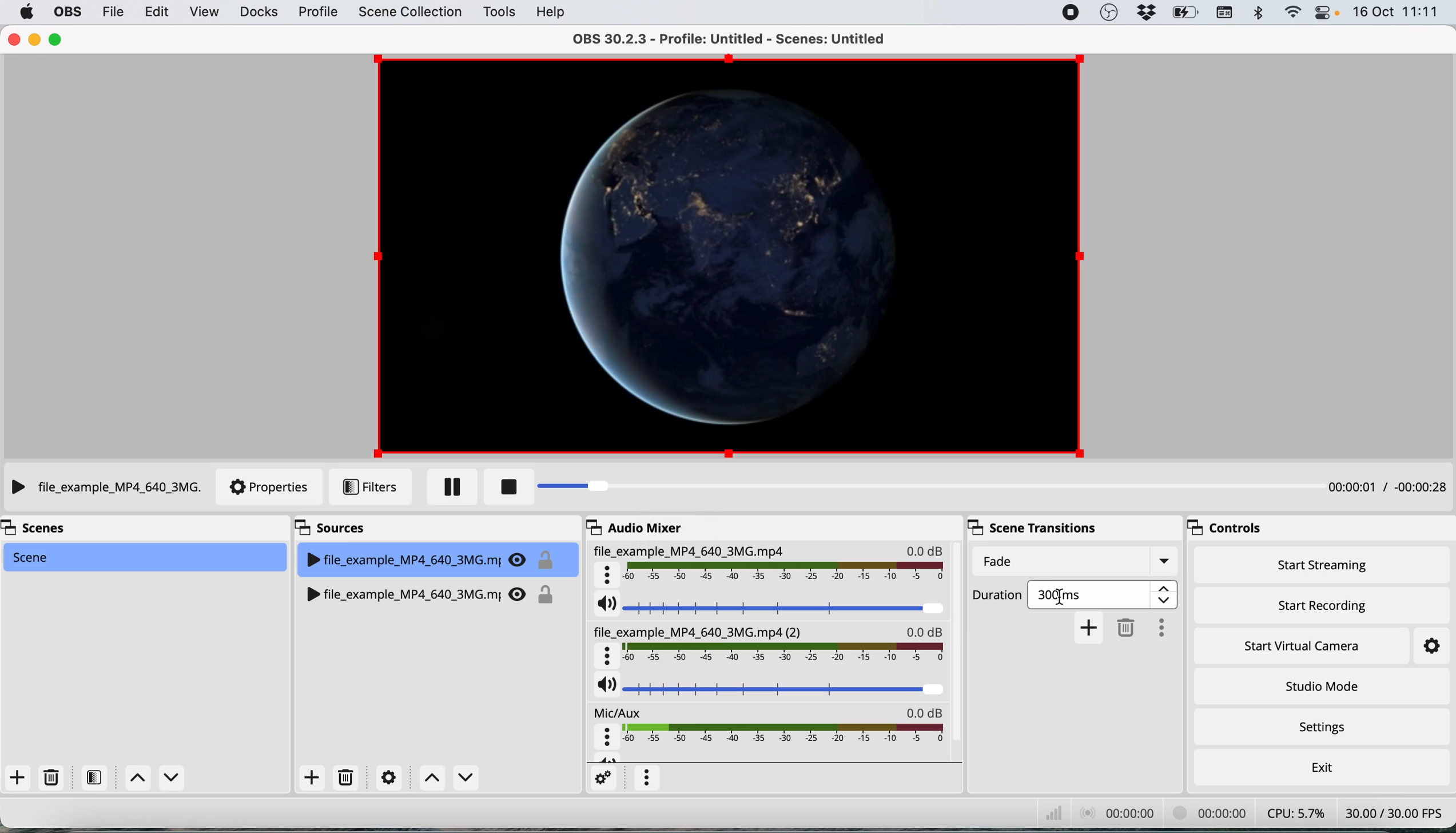  I want to click on battery, so click(1184, 15).